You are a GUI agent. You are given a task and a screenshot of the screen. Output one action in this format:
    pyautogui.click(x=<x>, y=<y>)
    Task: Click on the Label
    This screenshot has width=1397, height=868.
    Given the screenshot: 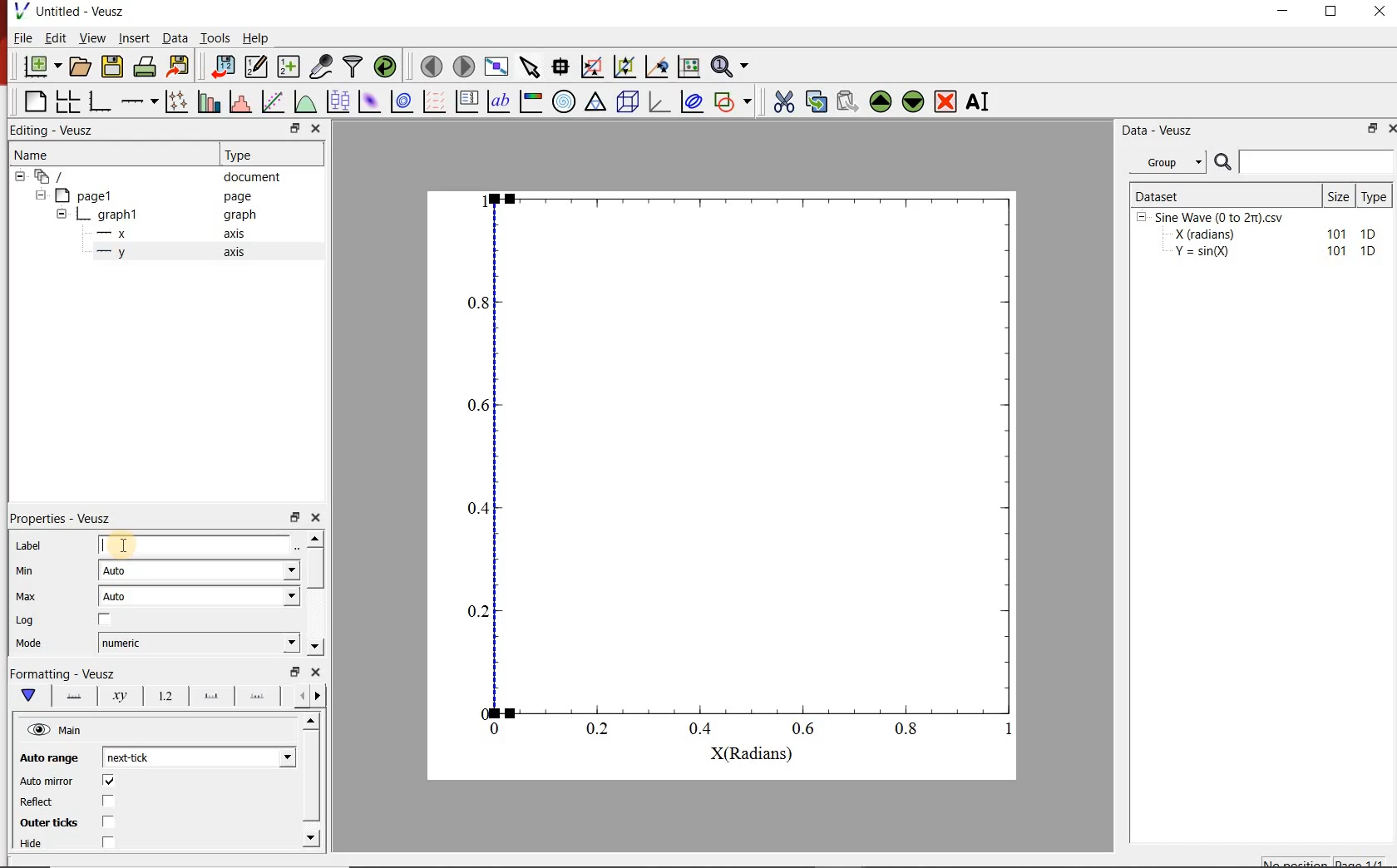 What is the action you would take?
    pyautogui.click(x=29, y=545)
    